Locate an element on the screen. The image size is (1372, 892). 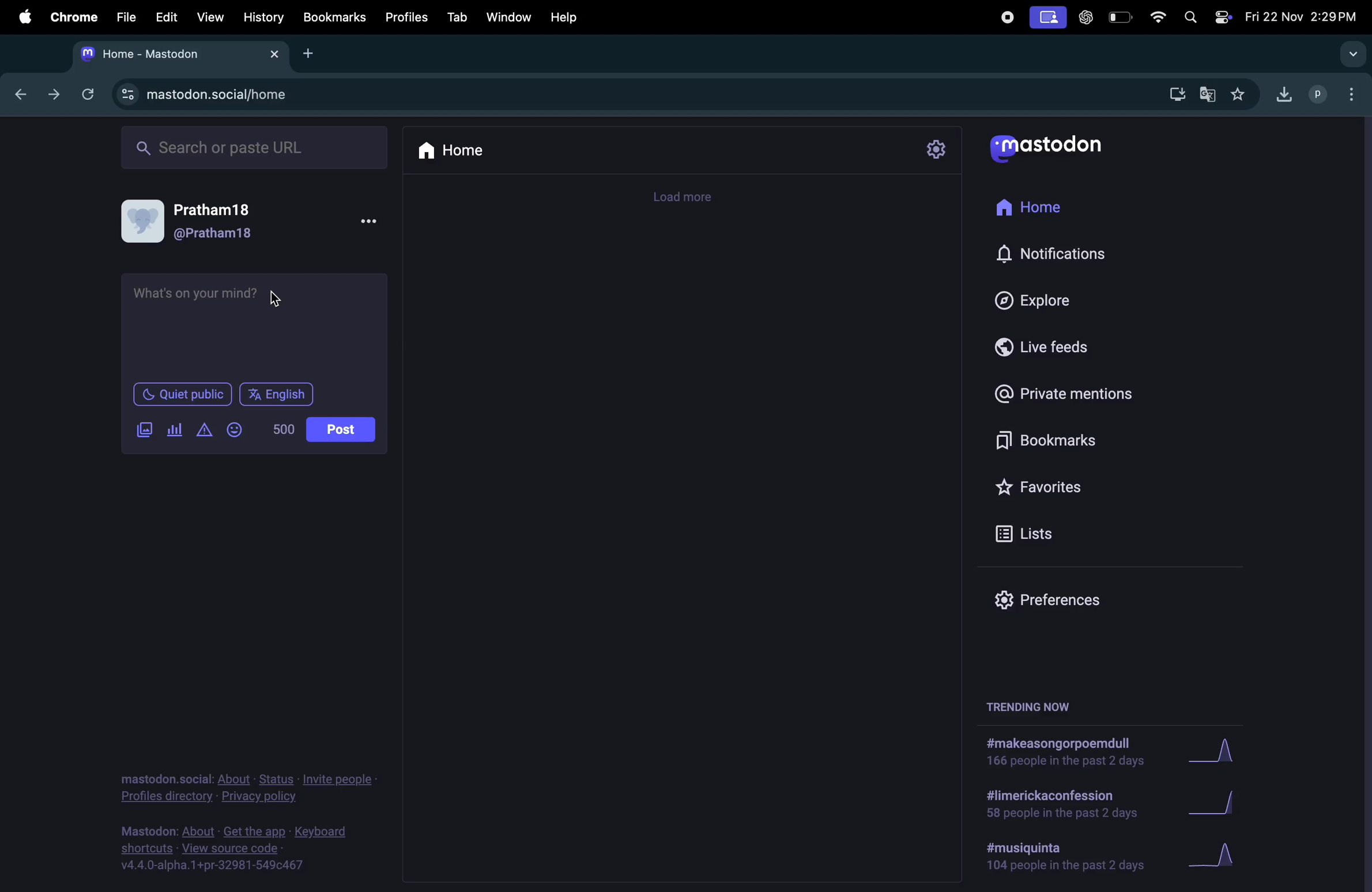
refresh is located at coordinates (88, 95).